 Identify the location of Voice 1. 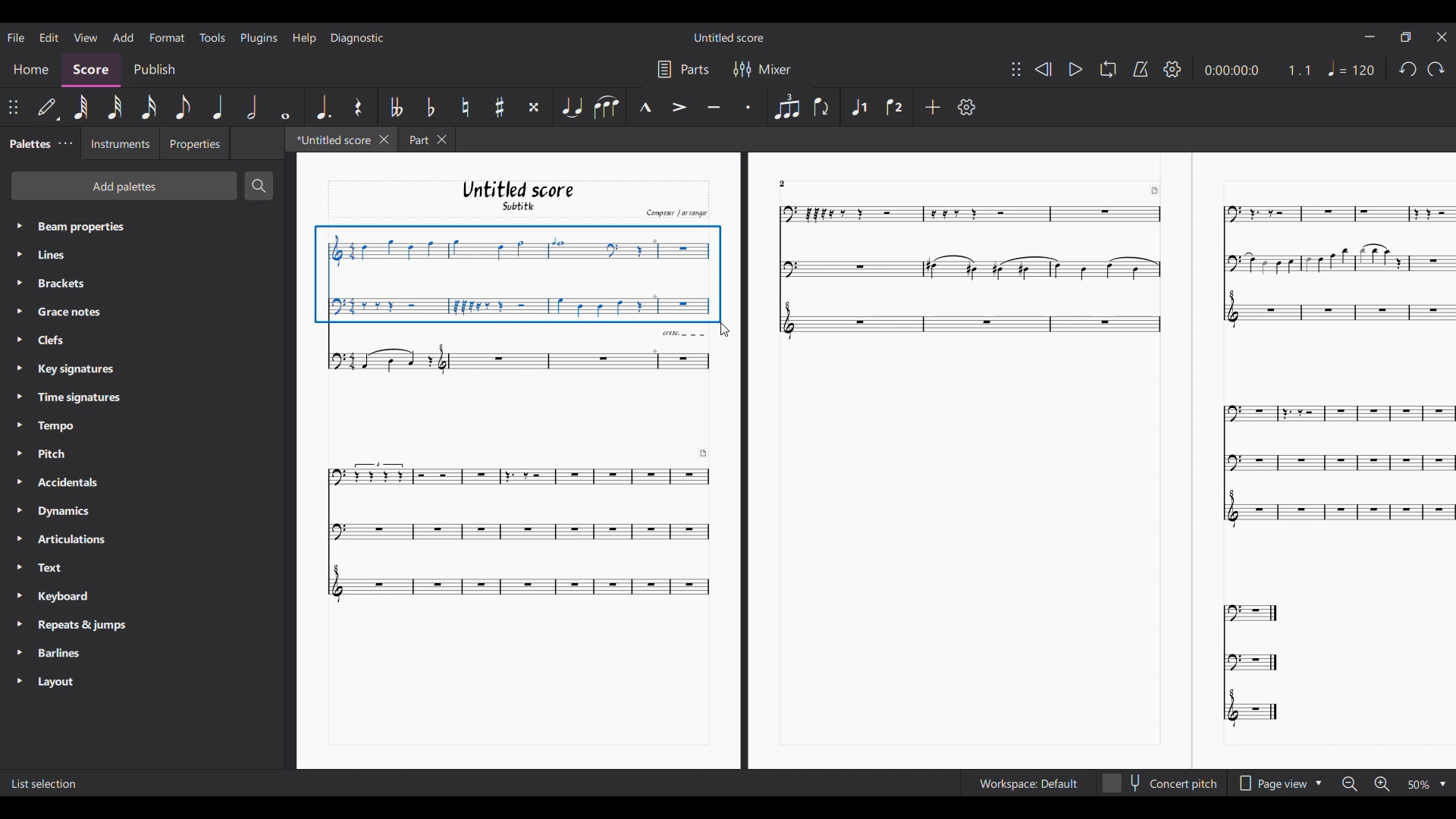
(859, 105).